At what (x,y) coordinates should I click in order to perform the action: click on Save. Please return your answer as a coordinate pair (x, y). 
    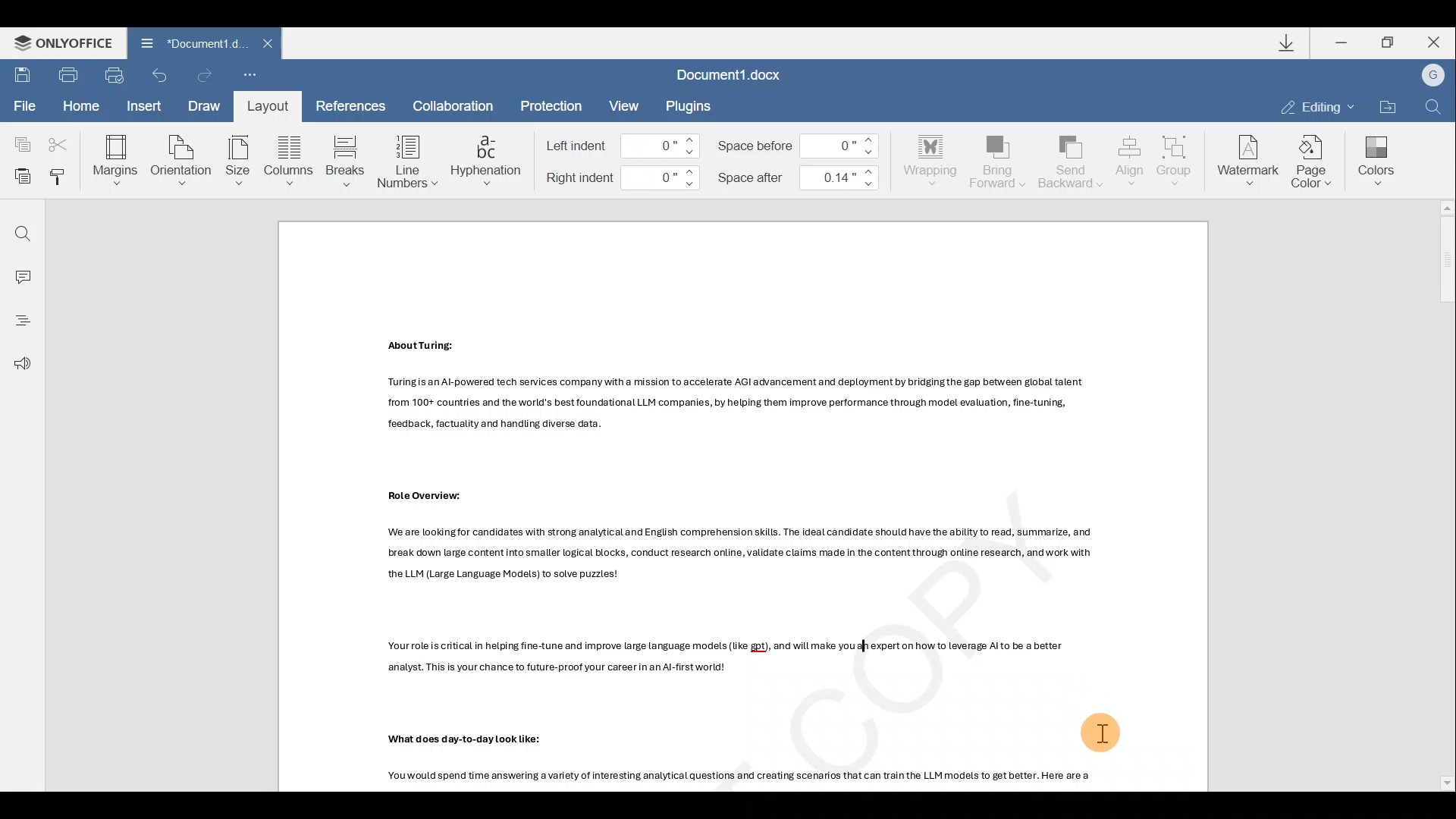
    Looking at the image, I should click on (20, 76).